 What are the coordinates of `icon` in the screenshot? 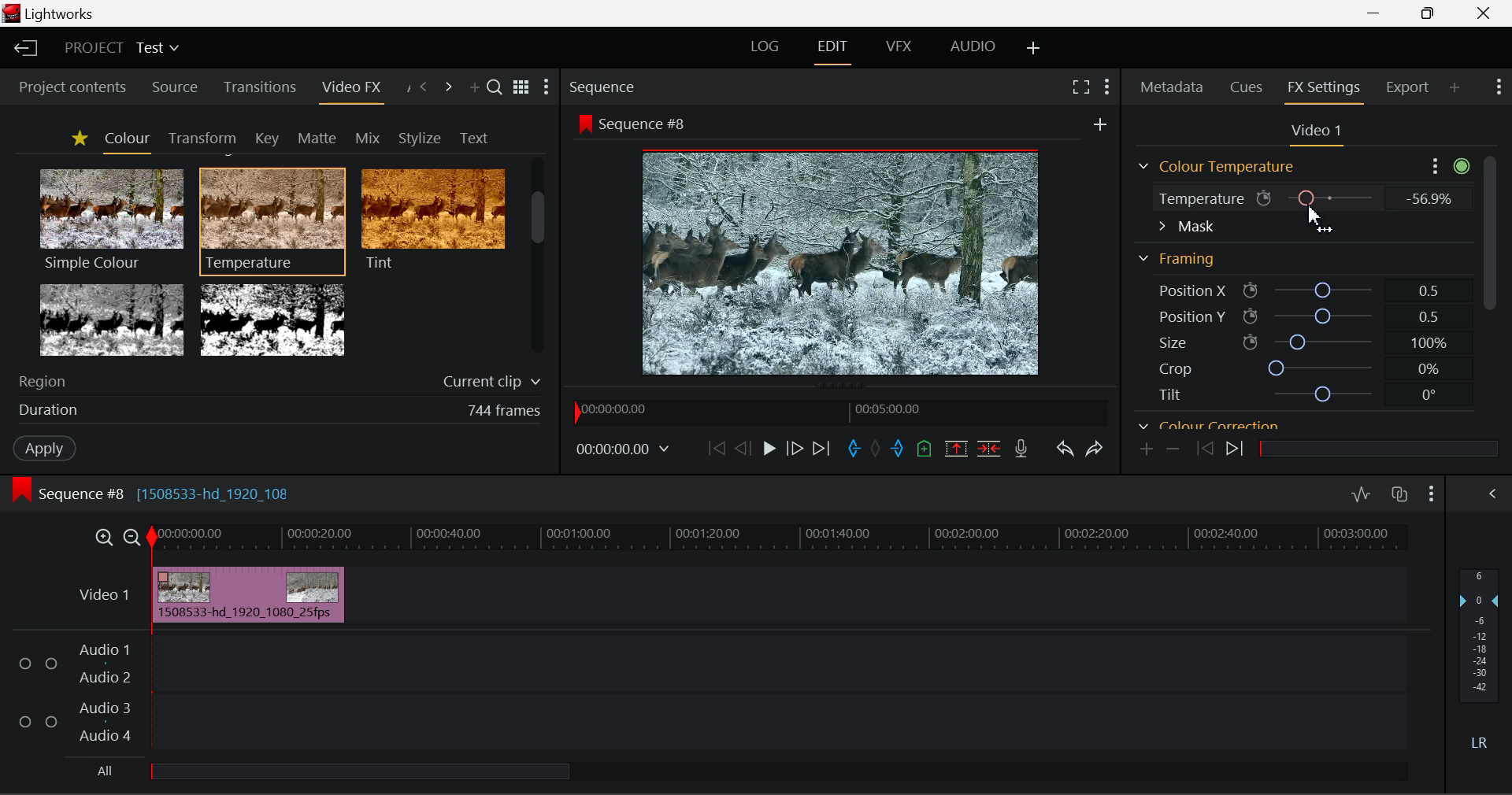 It's located at (22, 490).